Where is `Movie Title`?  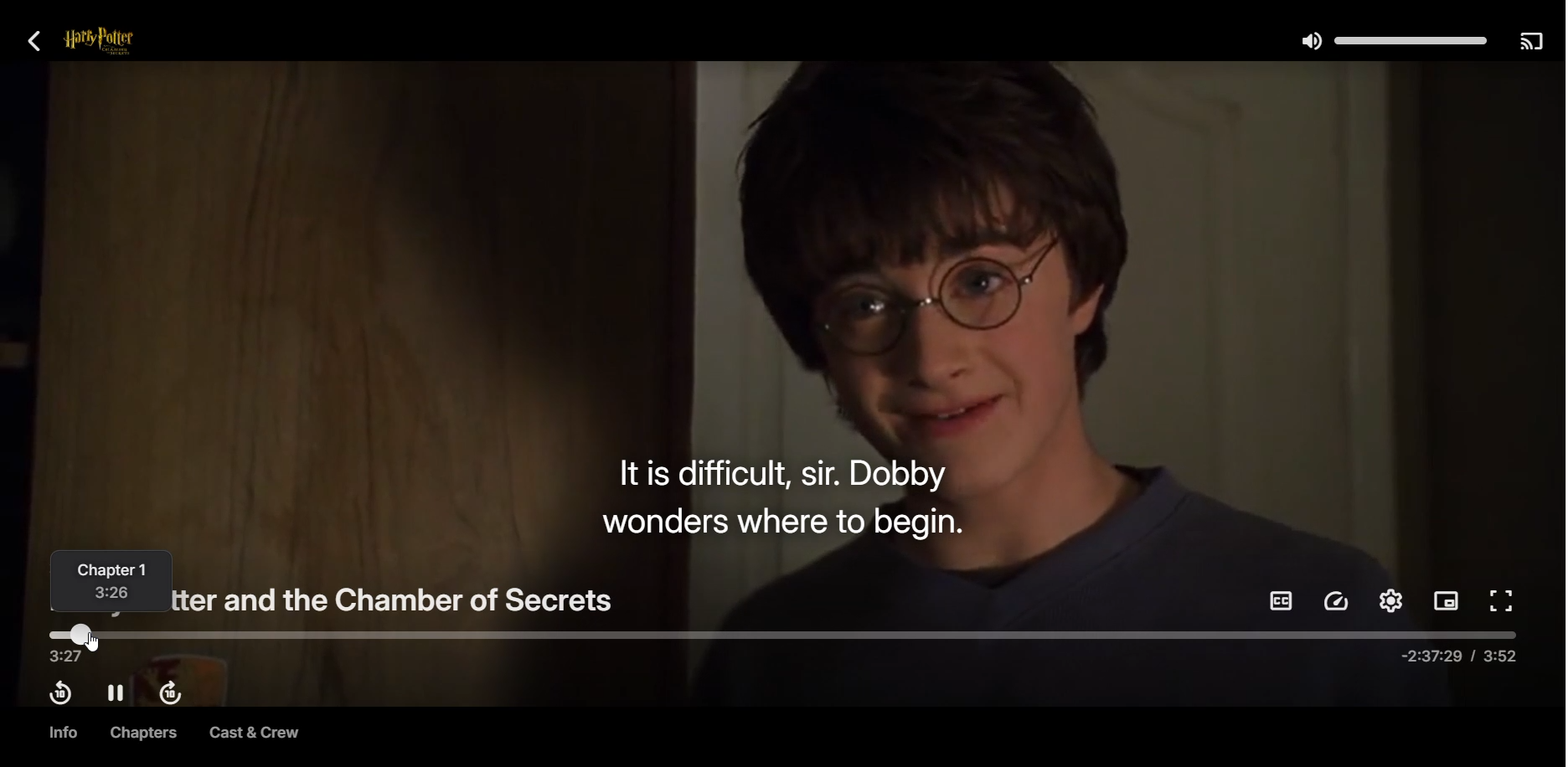 Movie Title is located at coordinates (403, 596).